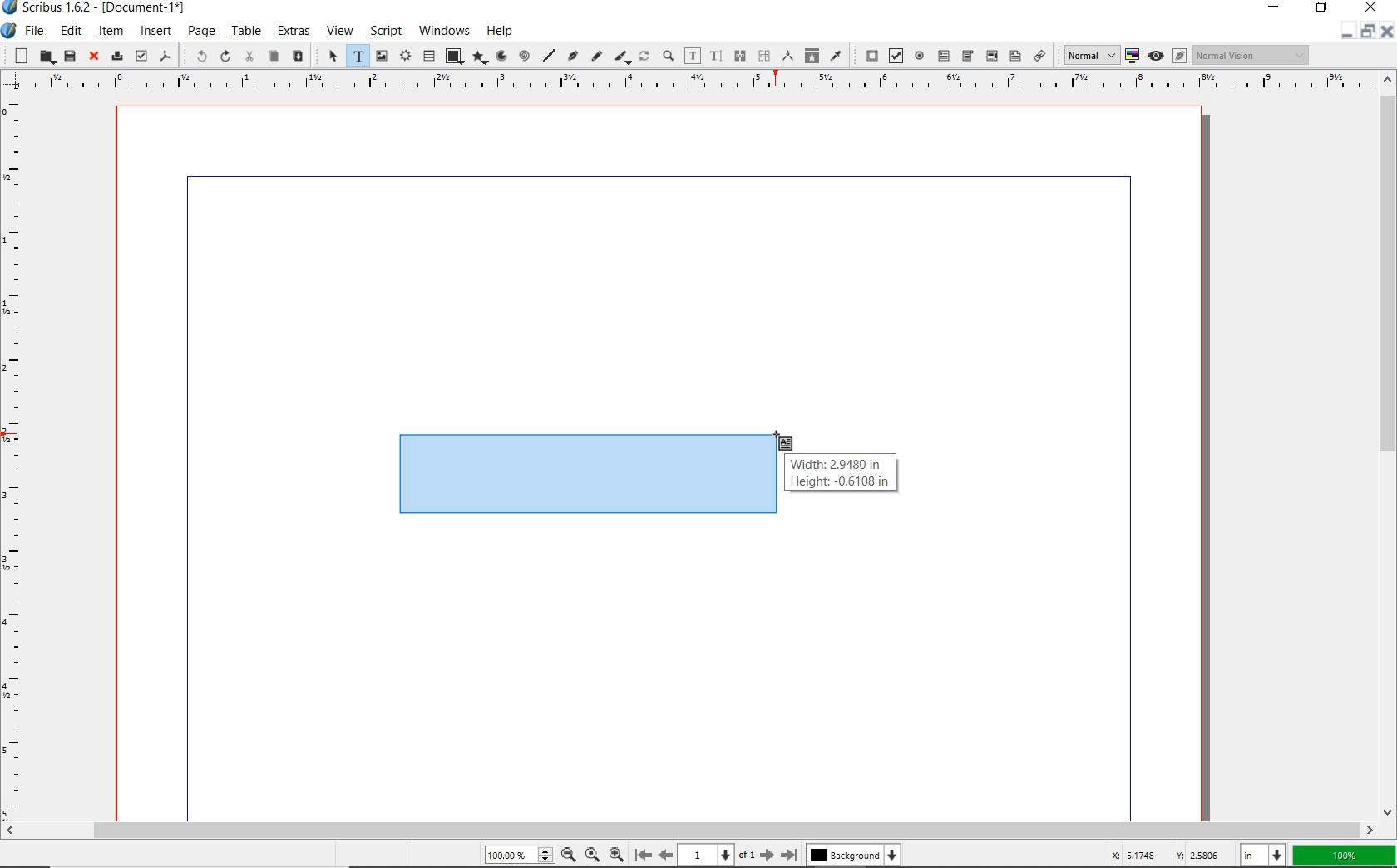  Describe the element at coordinates (990, 55) in the screenshot. I see `pdf list box` at that location.